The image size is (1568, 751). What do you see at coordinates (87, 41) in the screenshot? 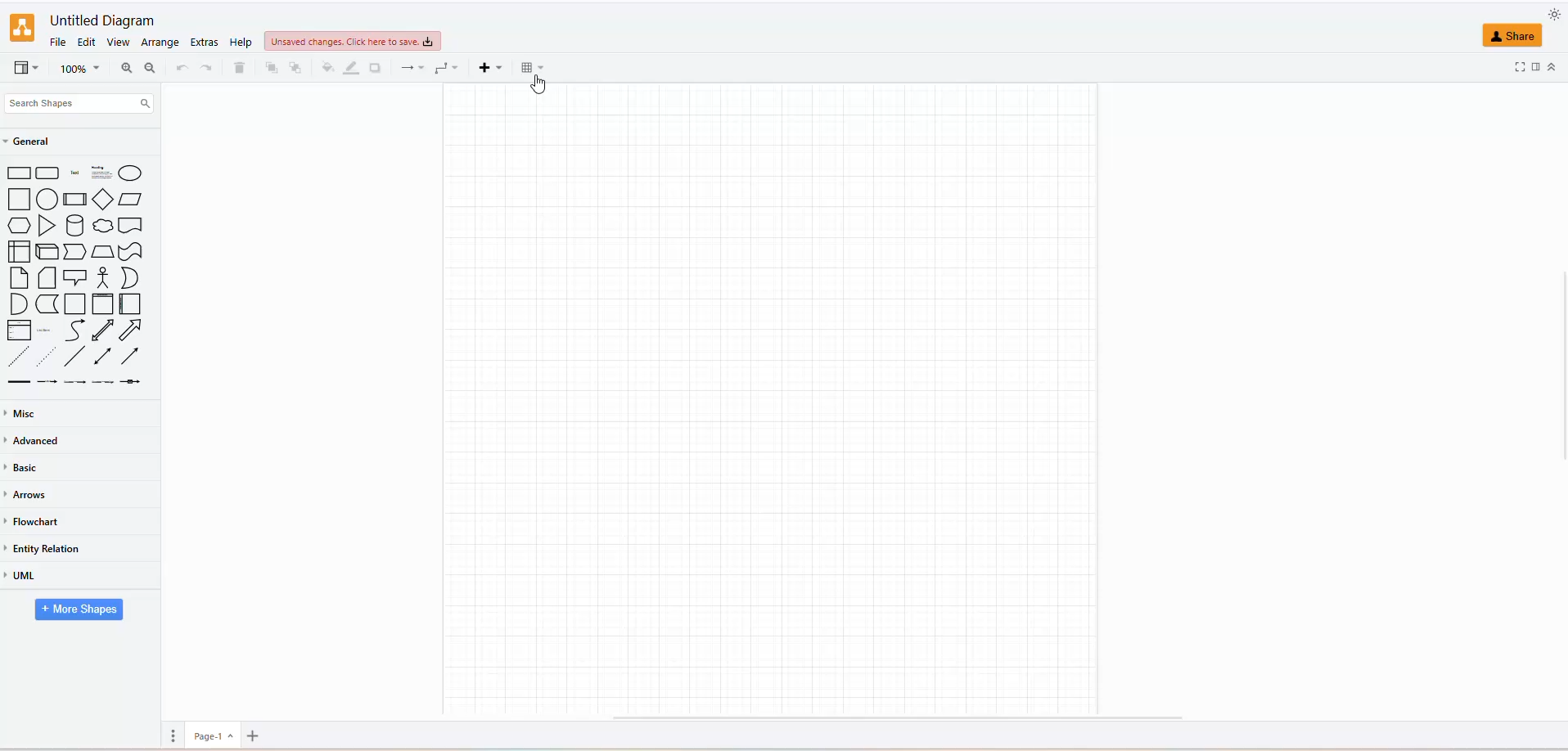
I see `edit` at bounding box center [87, 41].